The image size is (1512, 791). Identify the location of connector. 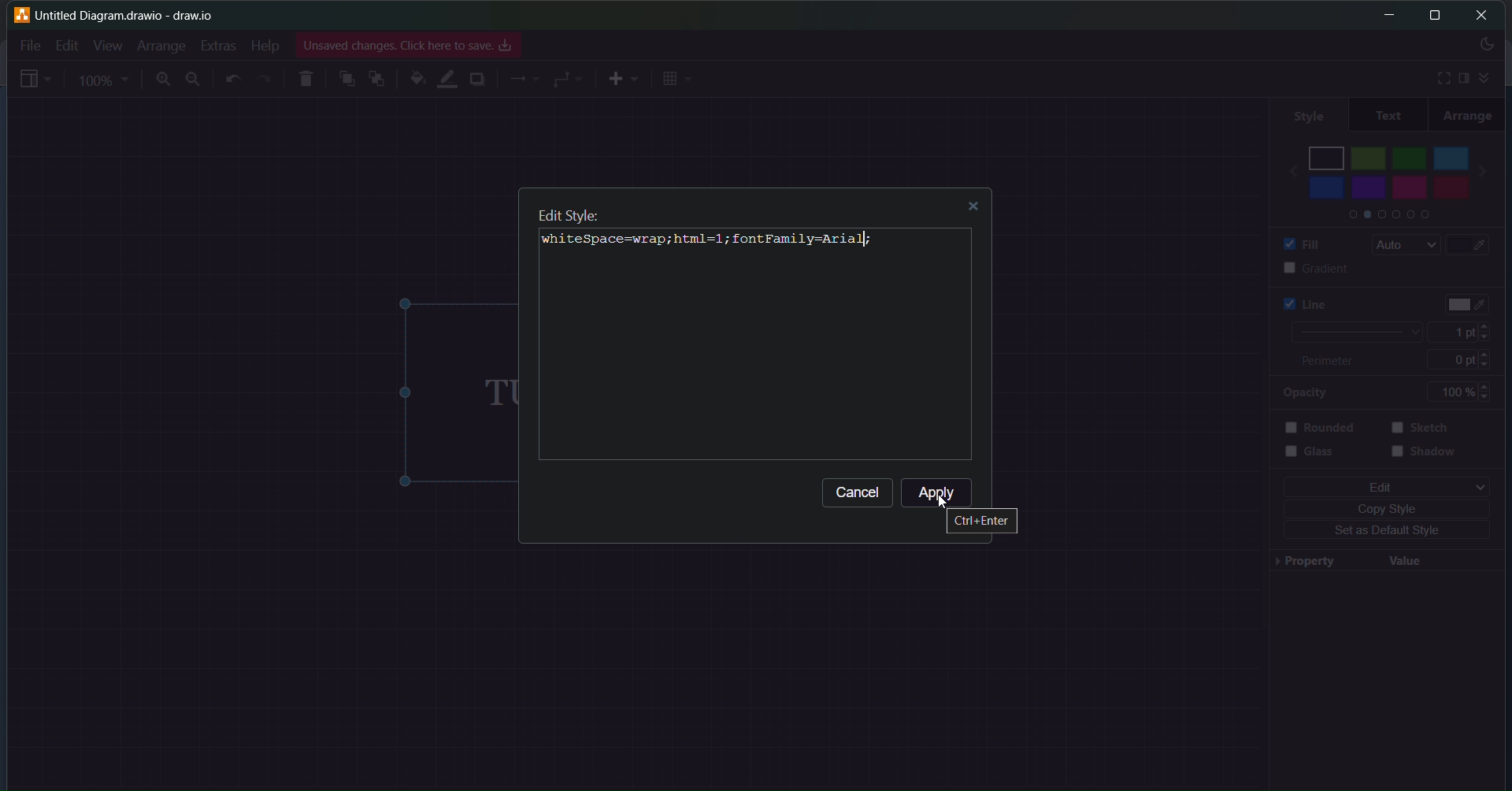
(569, 79).